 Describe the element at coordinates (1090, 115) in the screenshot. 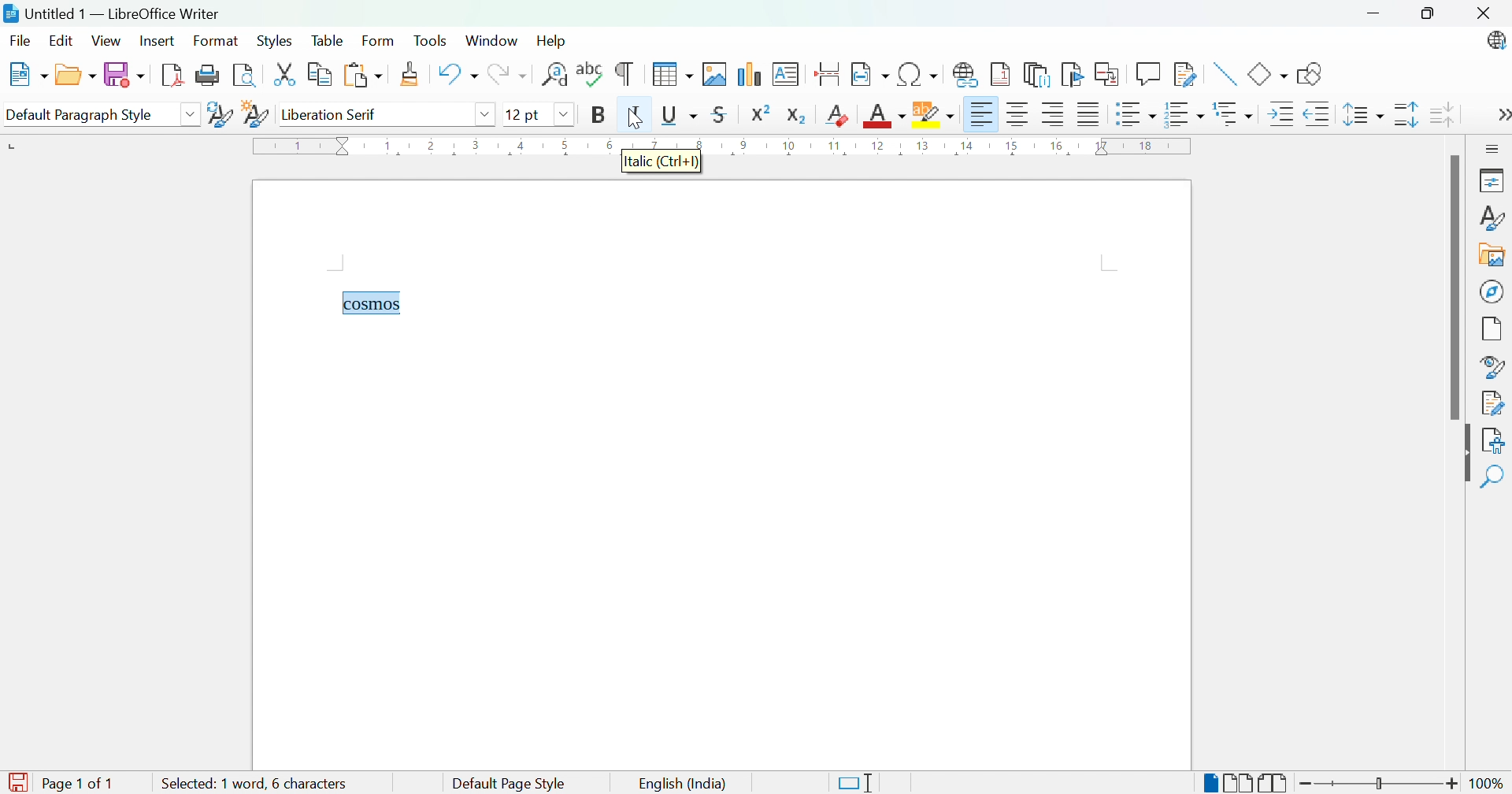

I see `Justified` at that location.